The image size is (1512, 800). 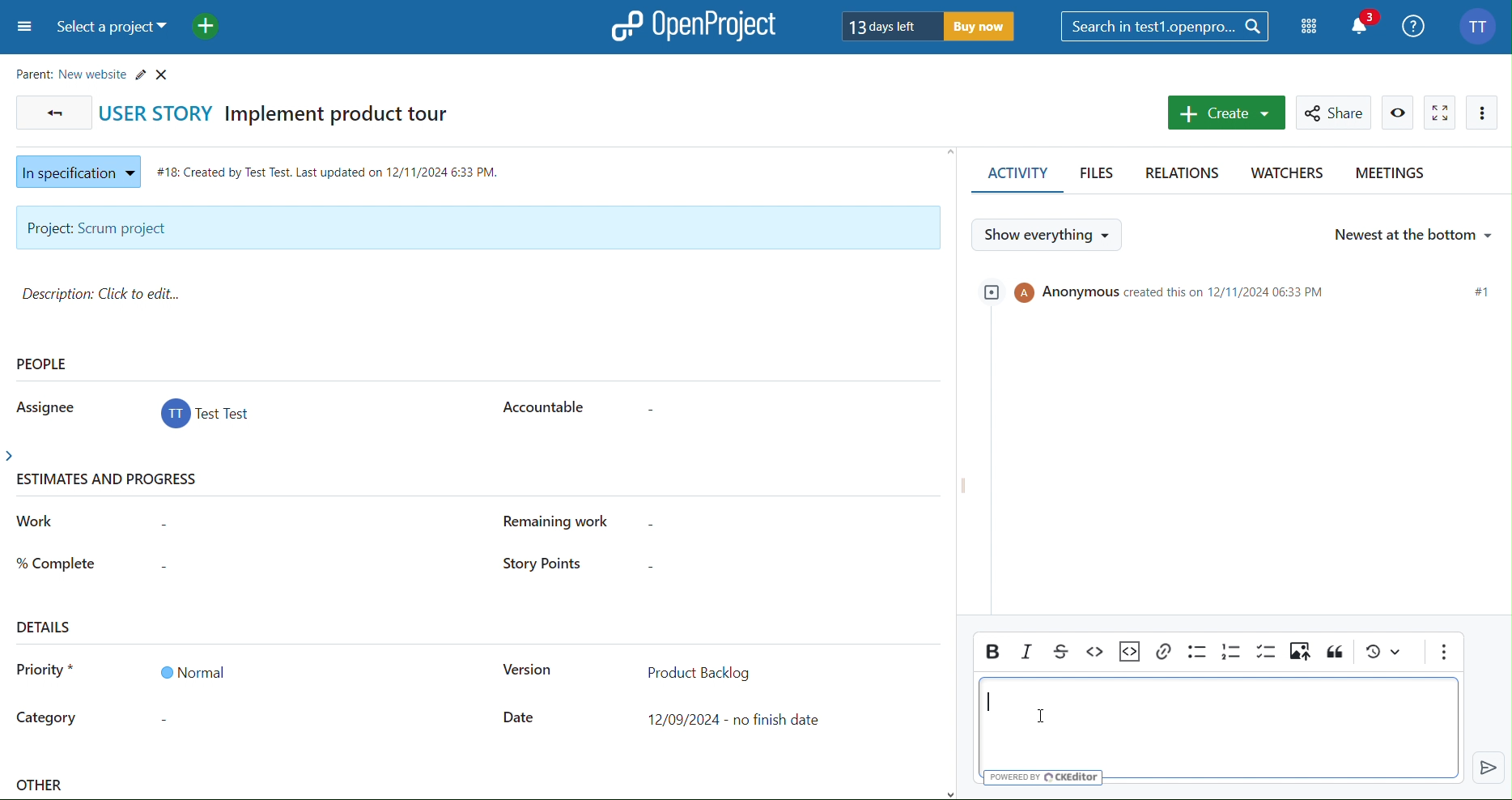 I want to click on Fullscreen, so click(x=1440, y=112).